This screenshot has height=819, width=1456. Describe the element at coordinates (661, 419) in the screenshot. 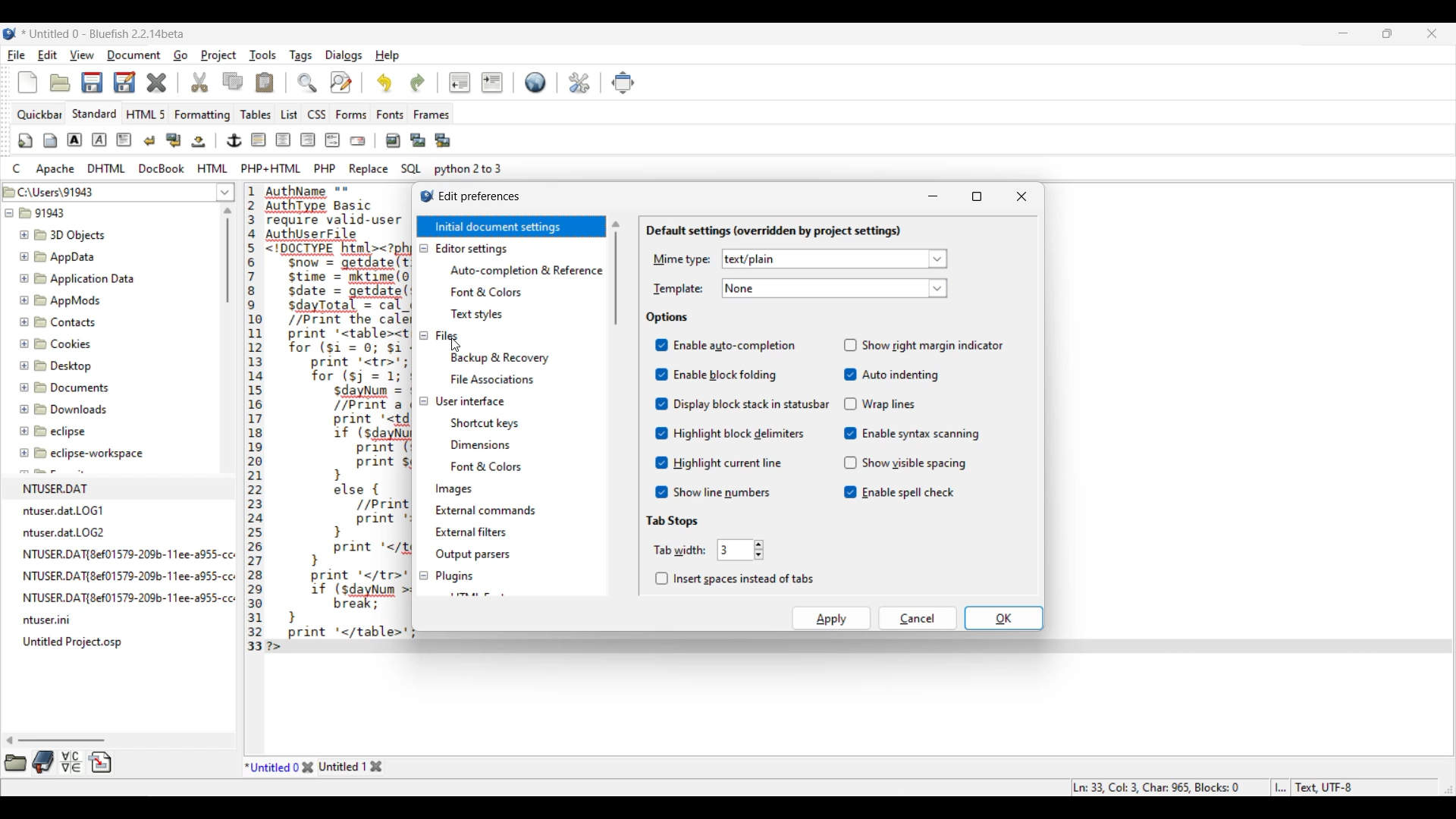

I see `Indicates toggle on/off` at that location.